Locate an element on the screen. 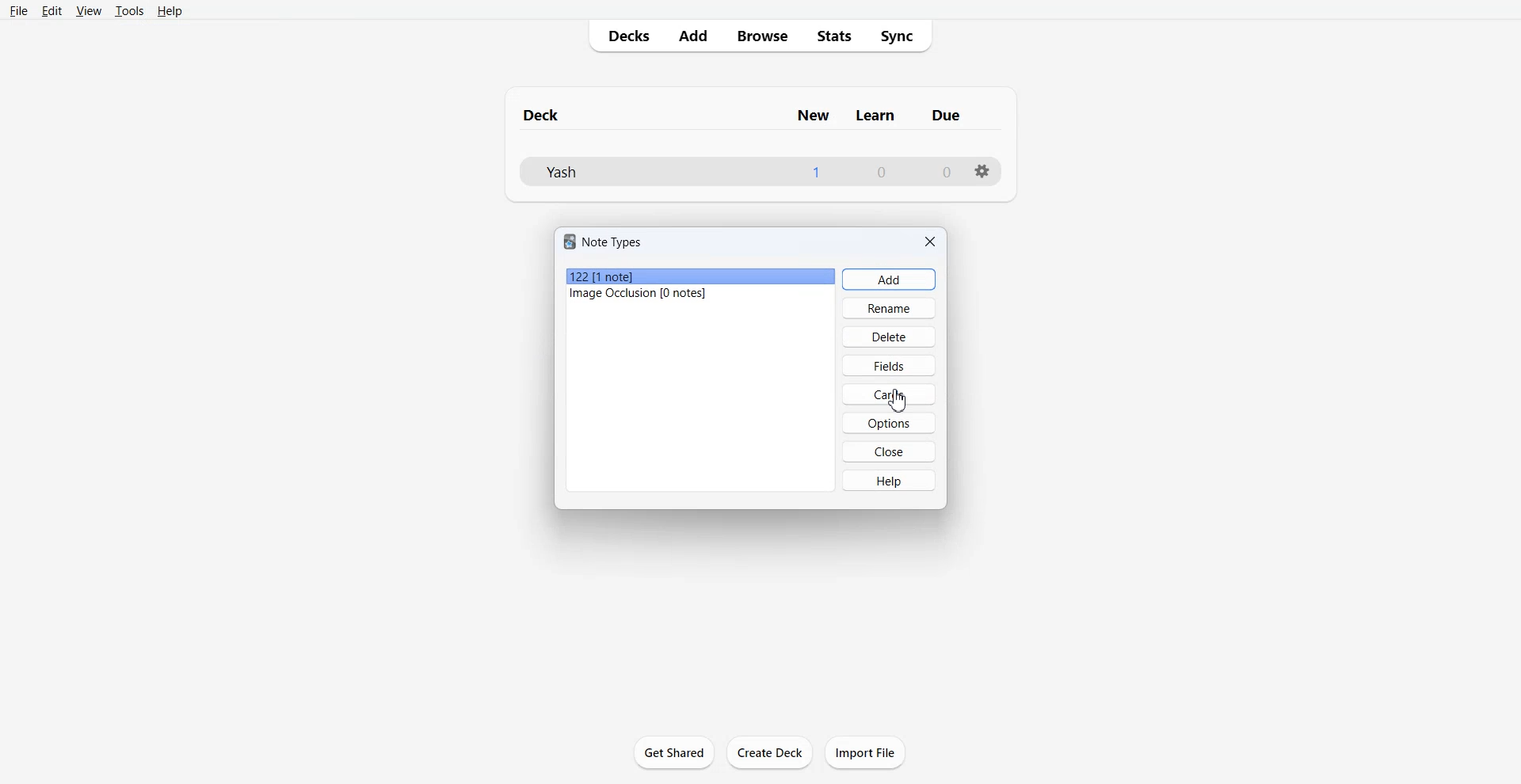 The width and height of the screenshot is (1521, 784). Sync is located at coordinates (902, 36).